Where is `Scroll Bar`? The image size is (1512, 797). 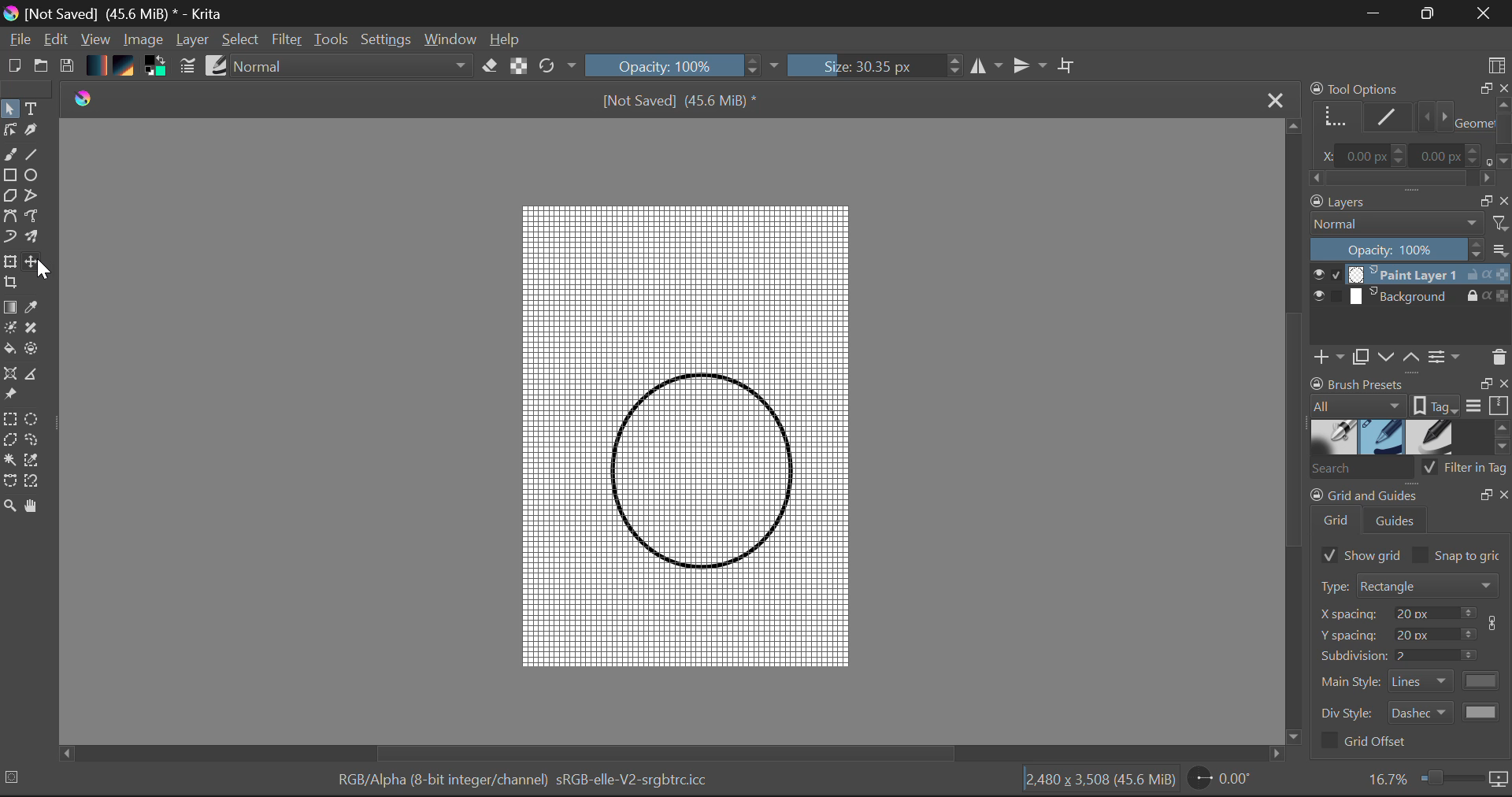
Scroll Bar is located at coordinates (1293, 432).